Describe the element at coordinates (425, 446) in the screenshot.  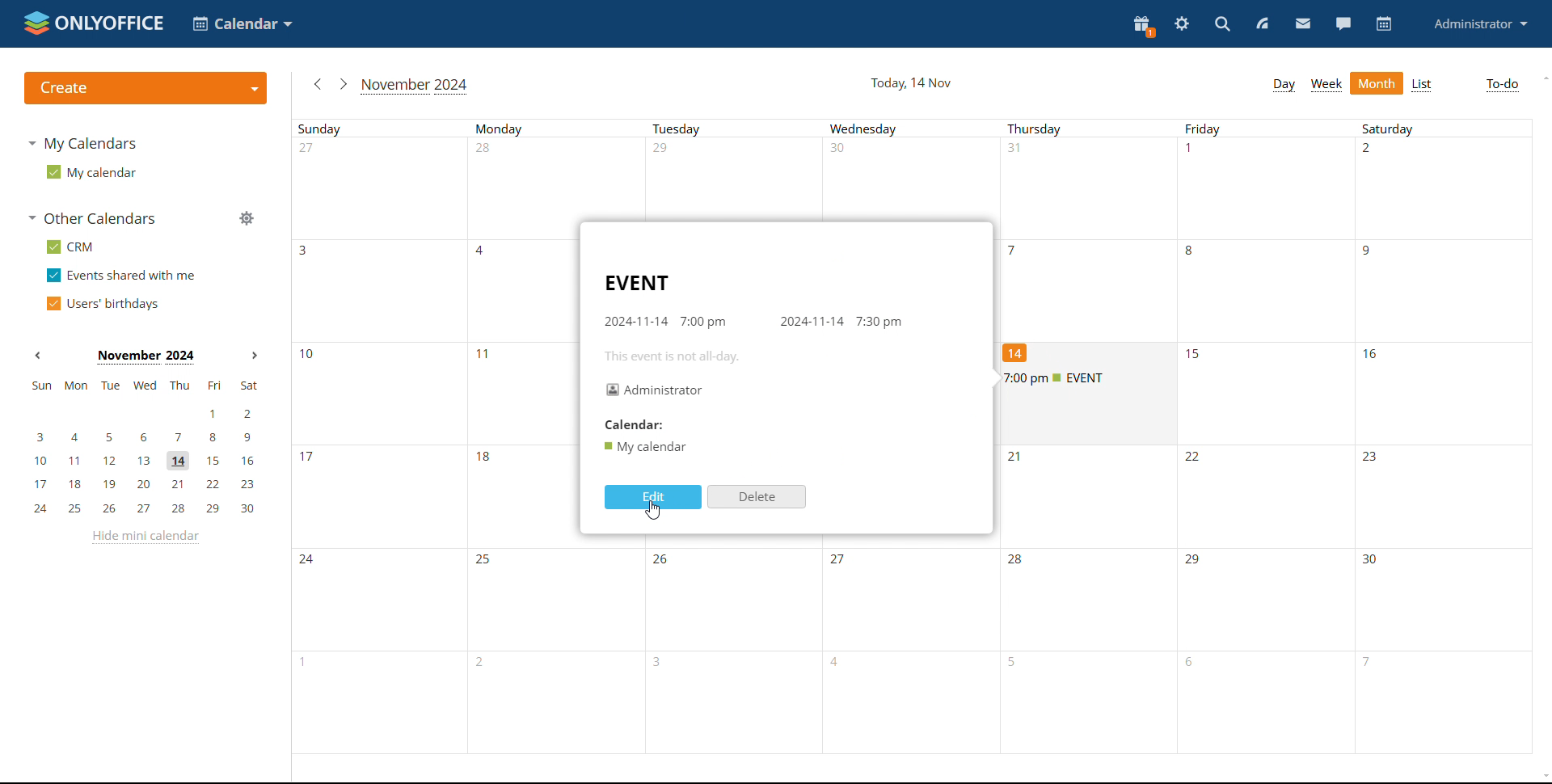
I see `days of a month` at that location.